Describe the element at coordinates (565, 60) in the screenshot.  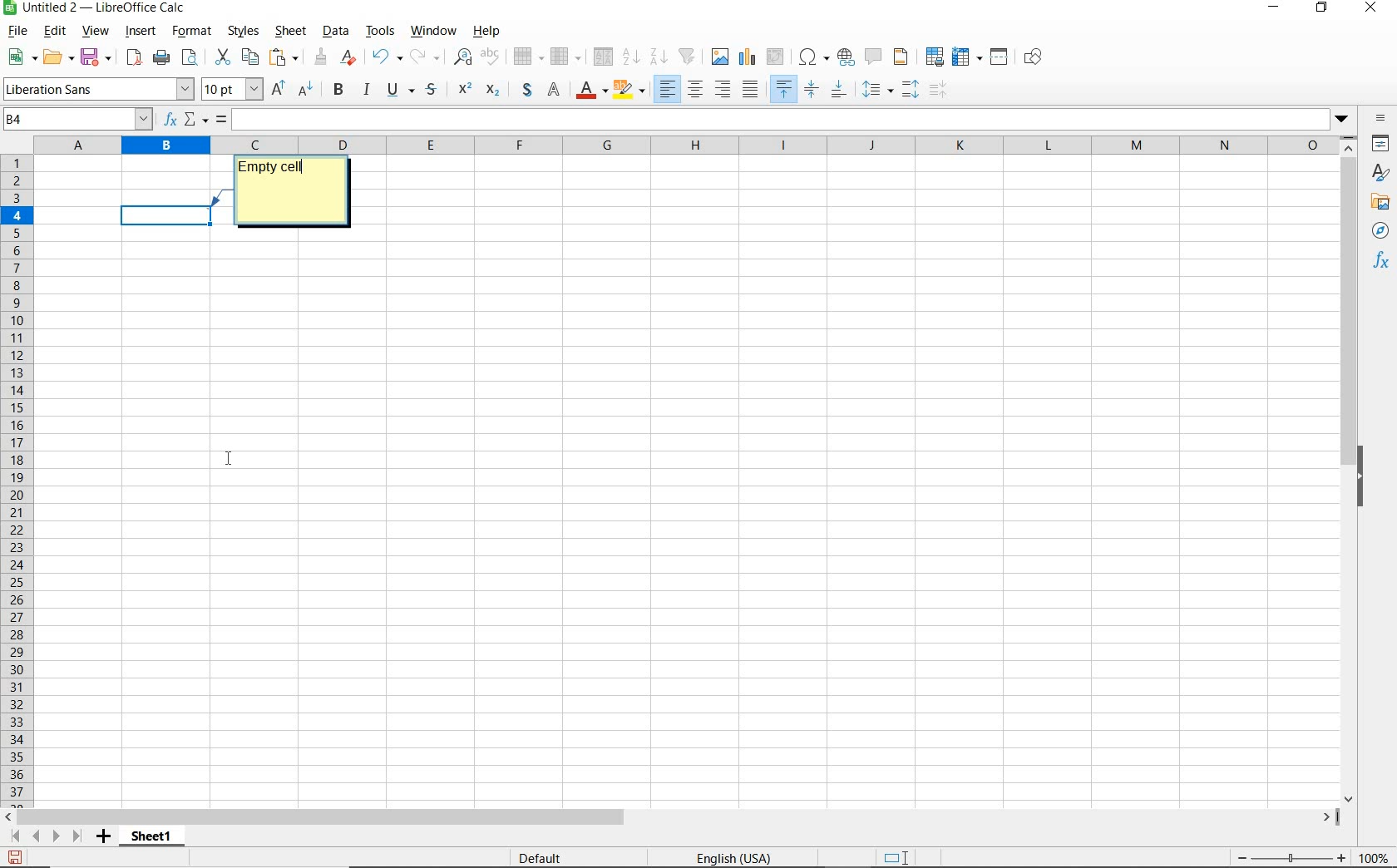
I see `column` at that location.